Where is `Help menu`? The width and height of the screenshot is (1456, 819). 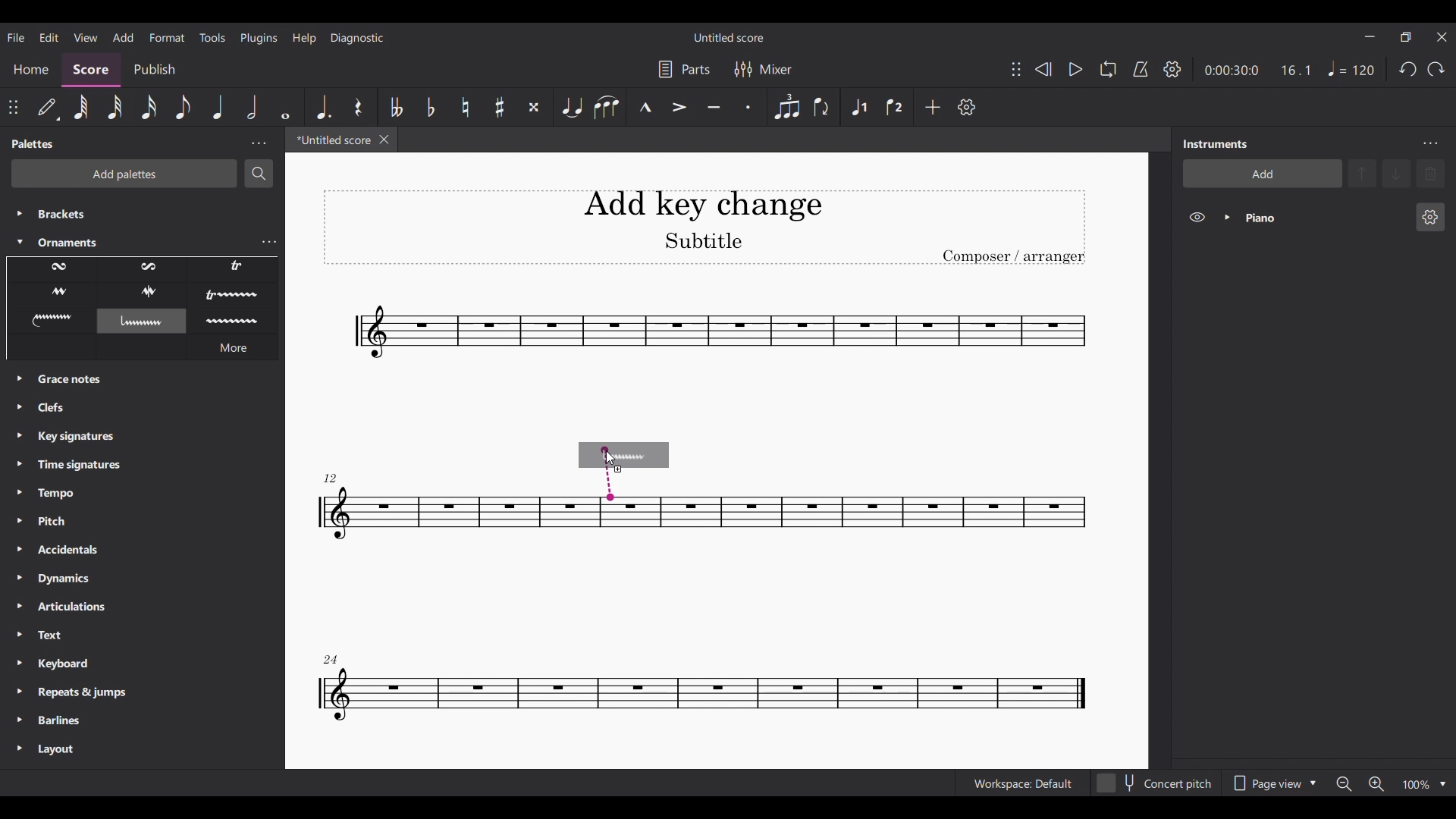 Help menu is located at coordinates (303, 38).